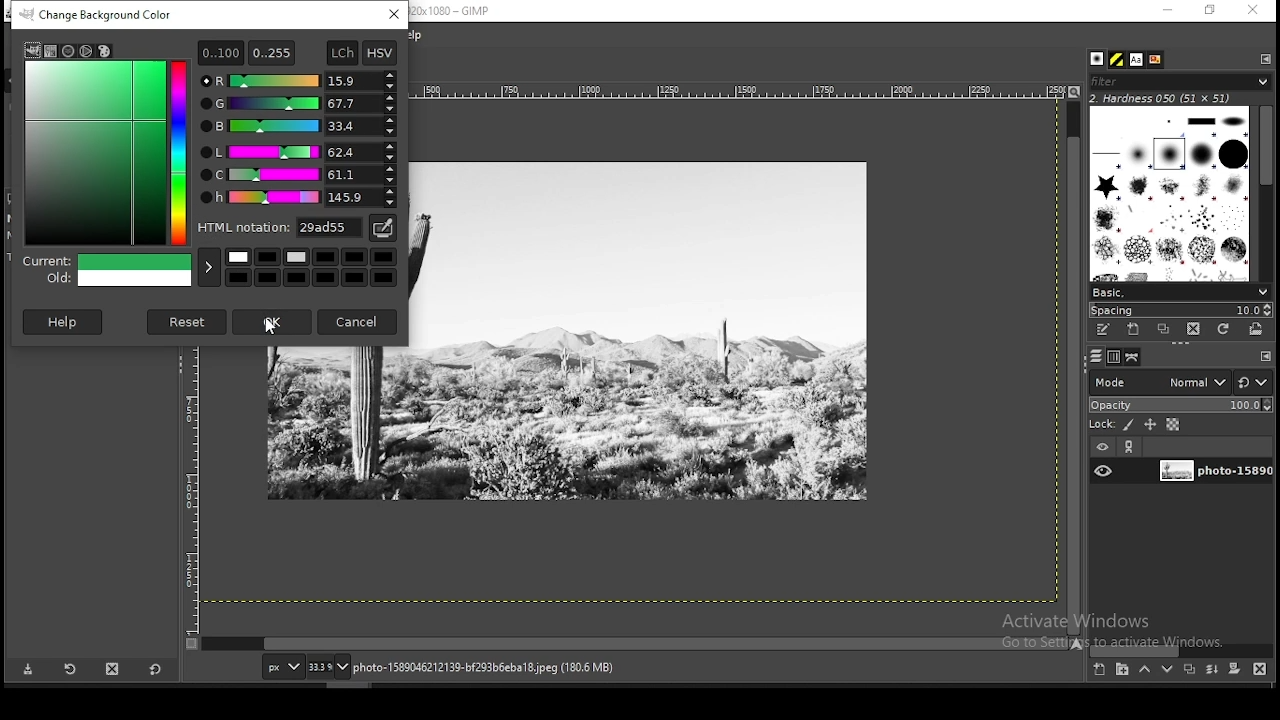 Image resolution: width=1280 pixels, height=720 pixels. I want to click on gimp, so click(32, 50).